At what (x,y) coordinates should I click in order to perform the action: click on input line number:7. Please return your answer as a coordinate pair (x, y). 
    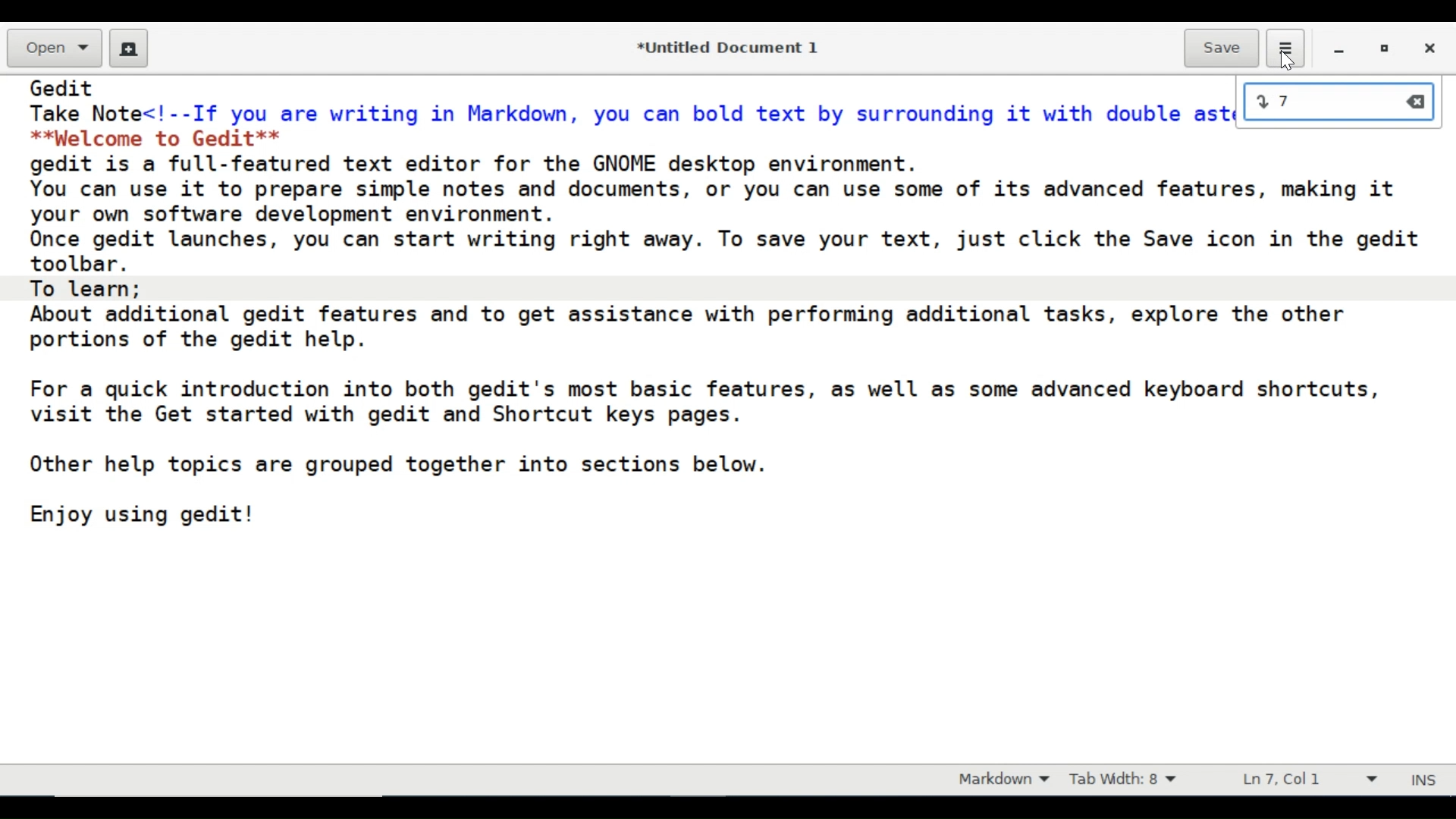
    Looking at the image, I should click on (1323, 101).